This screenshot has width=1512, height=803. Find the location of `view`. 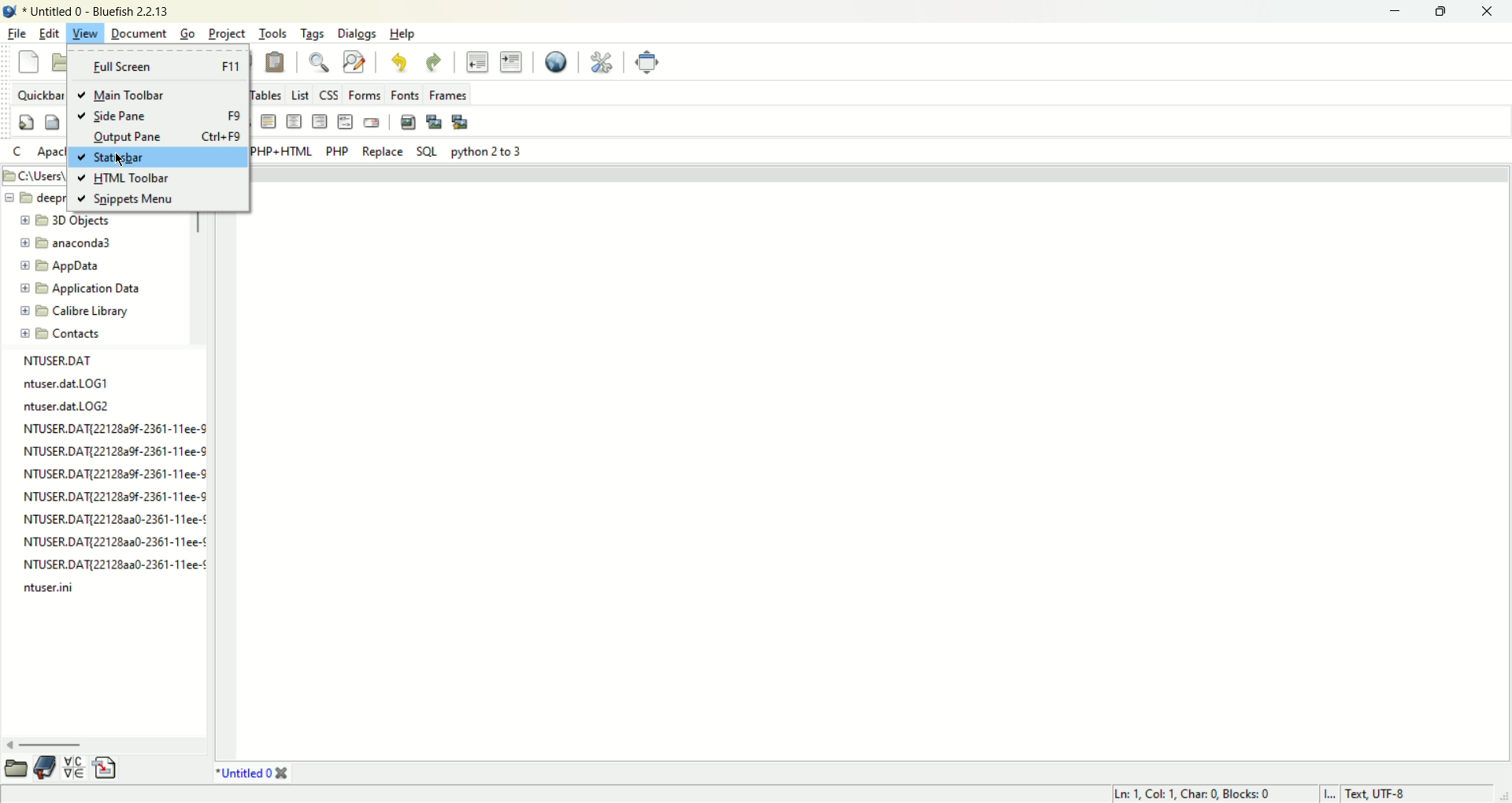

view is located at coordinates (86, 33).